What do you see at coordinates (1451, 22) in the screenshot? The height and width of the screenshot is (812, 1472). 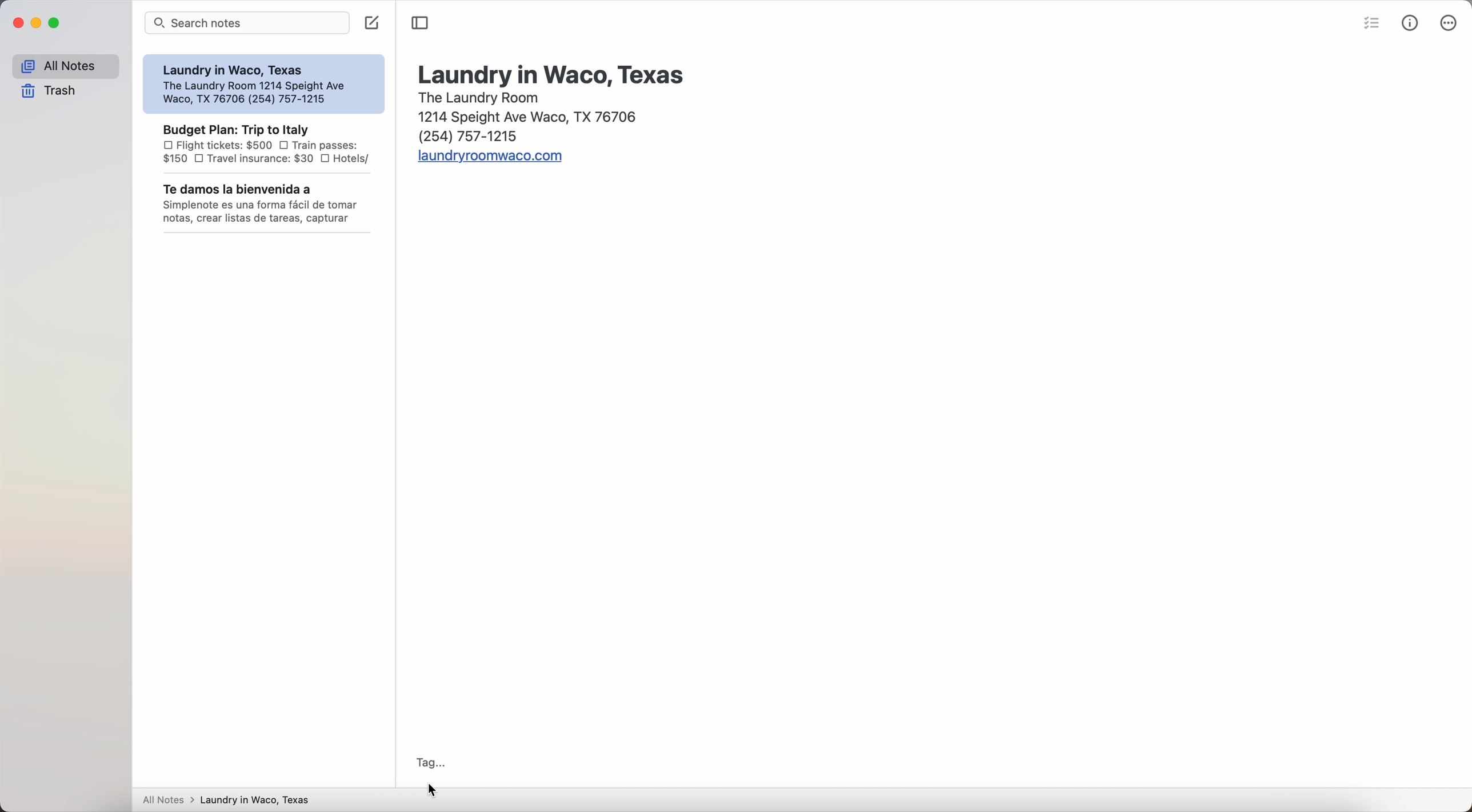 I see `more options` at bounding box center [1451, 22].